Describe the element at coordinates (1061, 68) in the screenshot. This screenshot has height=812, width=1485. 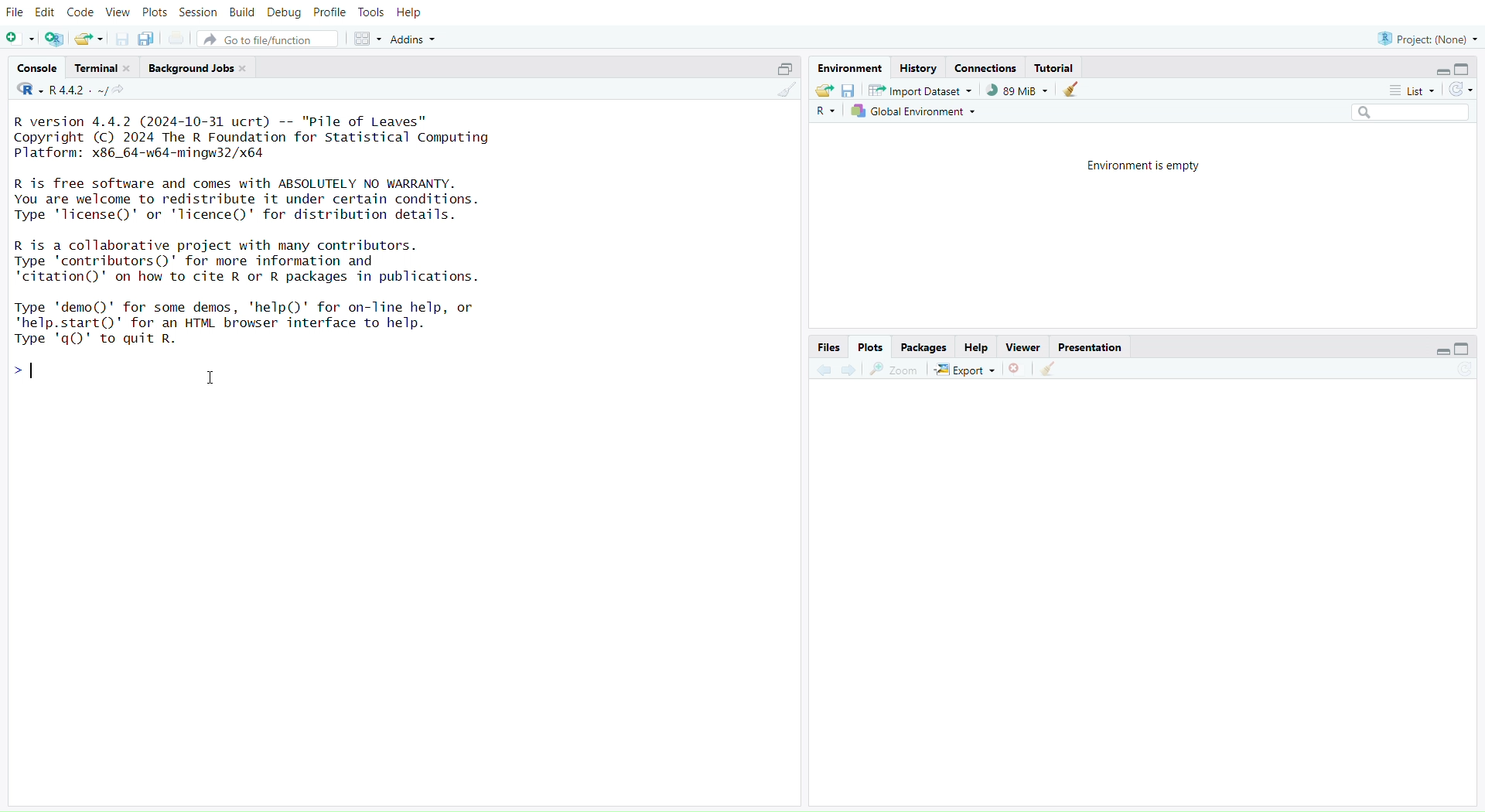
I see `Tutorial` at that location.